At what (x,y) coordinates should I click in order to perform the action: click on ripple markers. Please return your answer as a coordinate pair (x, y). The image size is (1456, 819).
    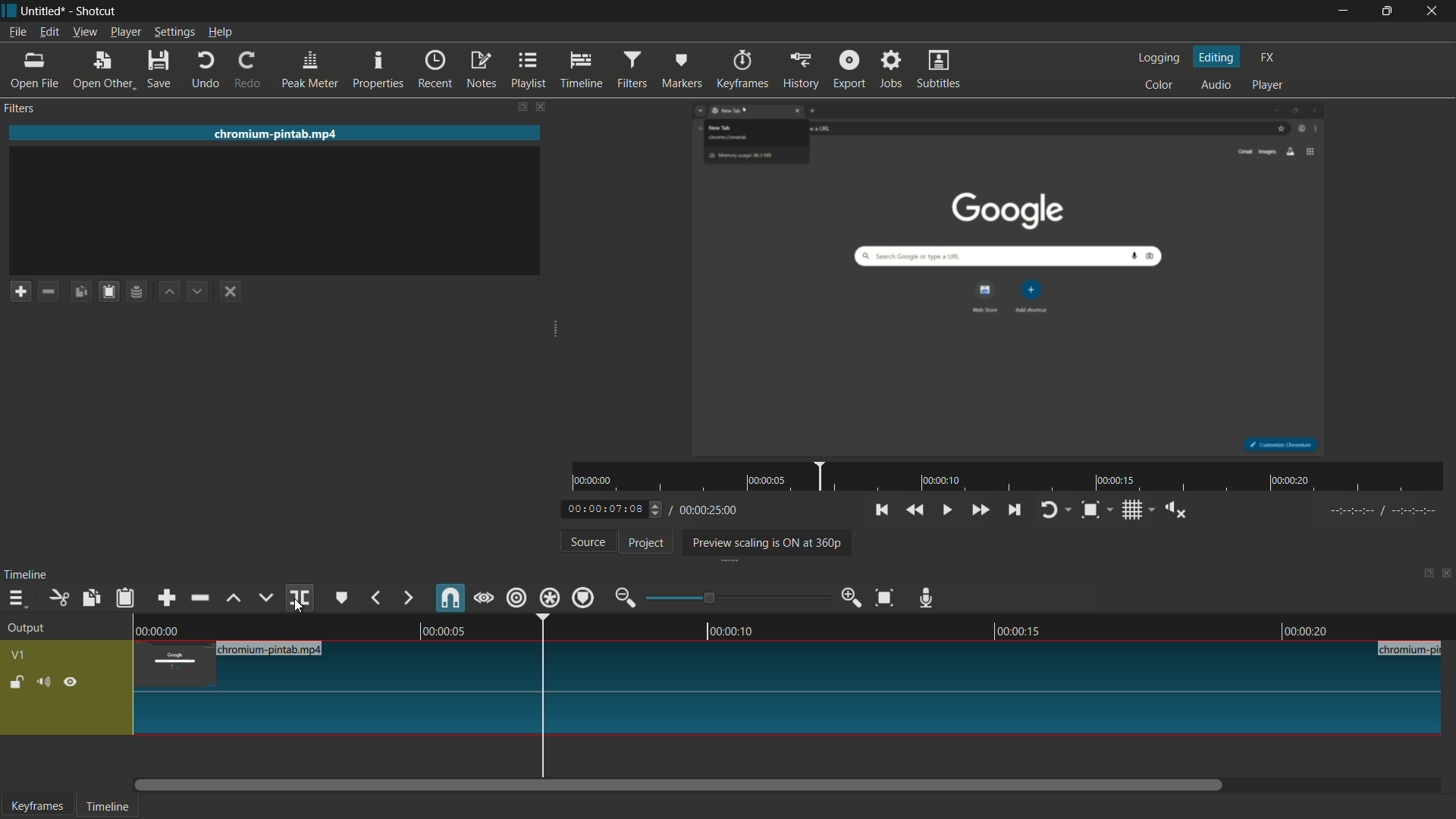
    Looking at the image, I should click on (583, 598).